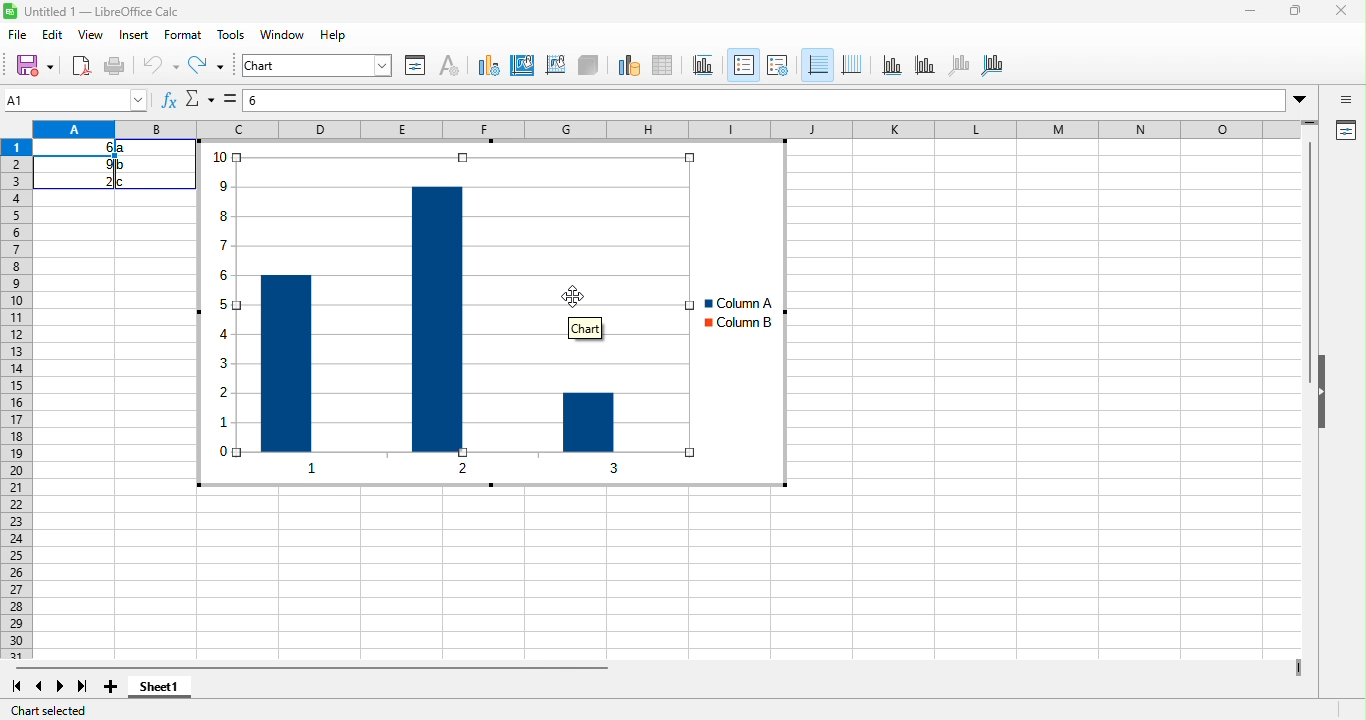 Image resolution: width=1366 pixels, height=720 pixels. I want to click on export as pdf, so click(81, 65).